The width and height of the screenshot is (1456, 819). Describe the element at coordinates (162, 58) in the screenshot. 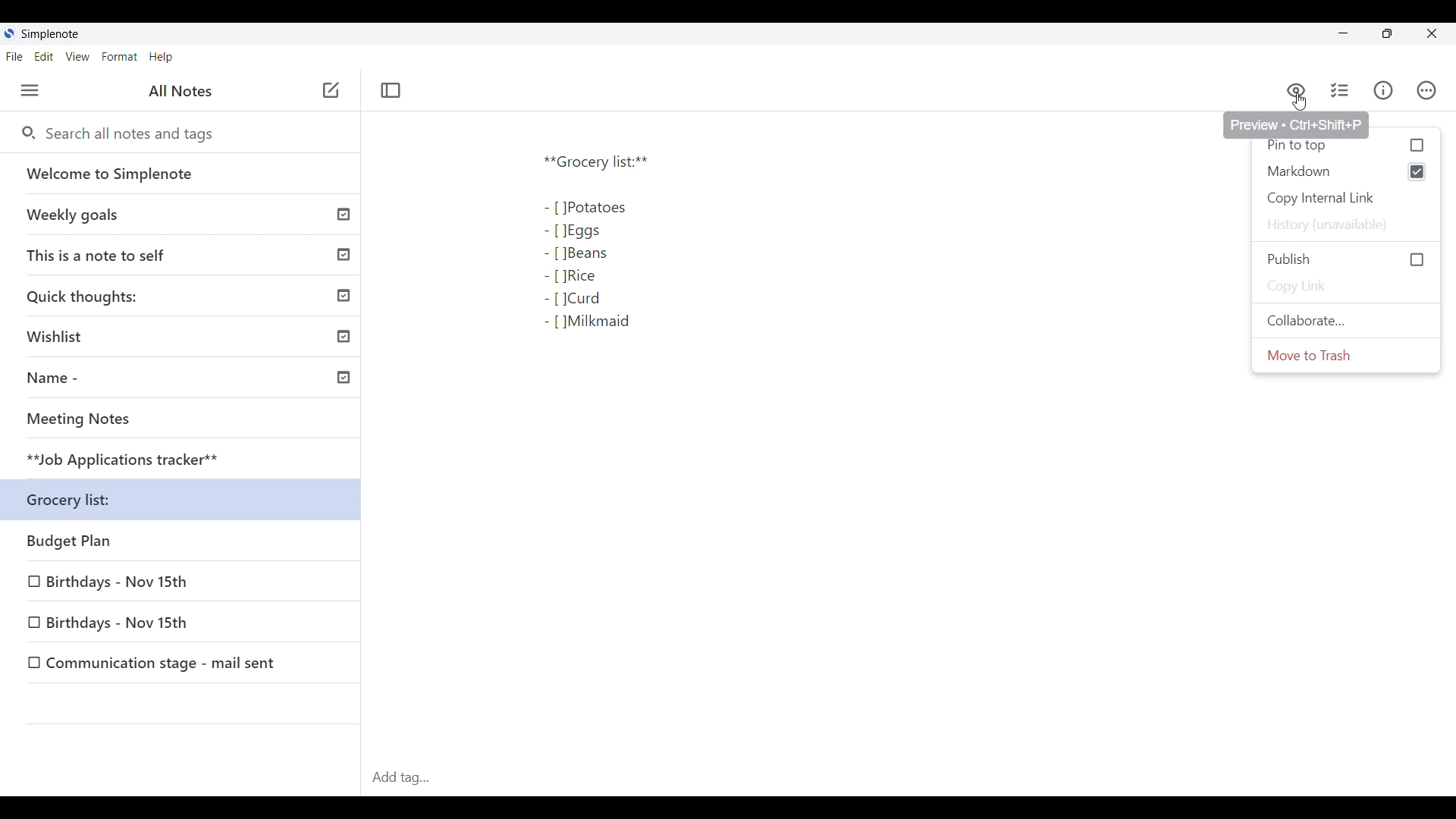

I see `Help` at that location.